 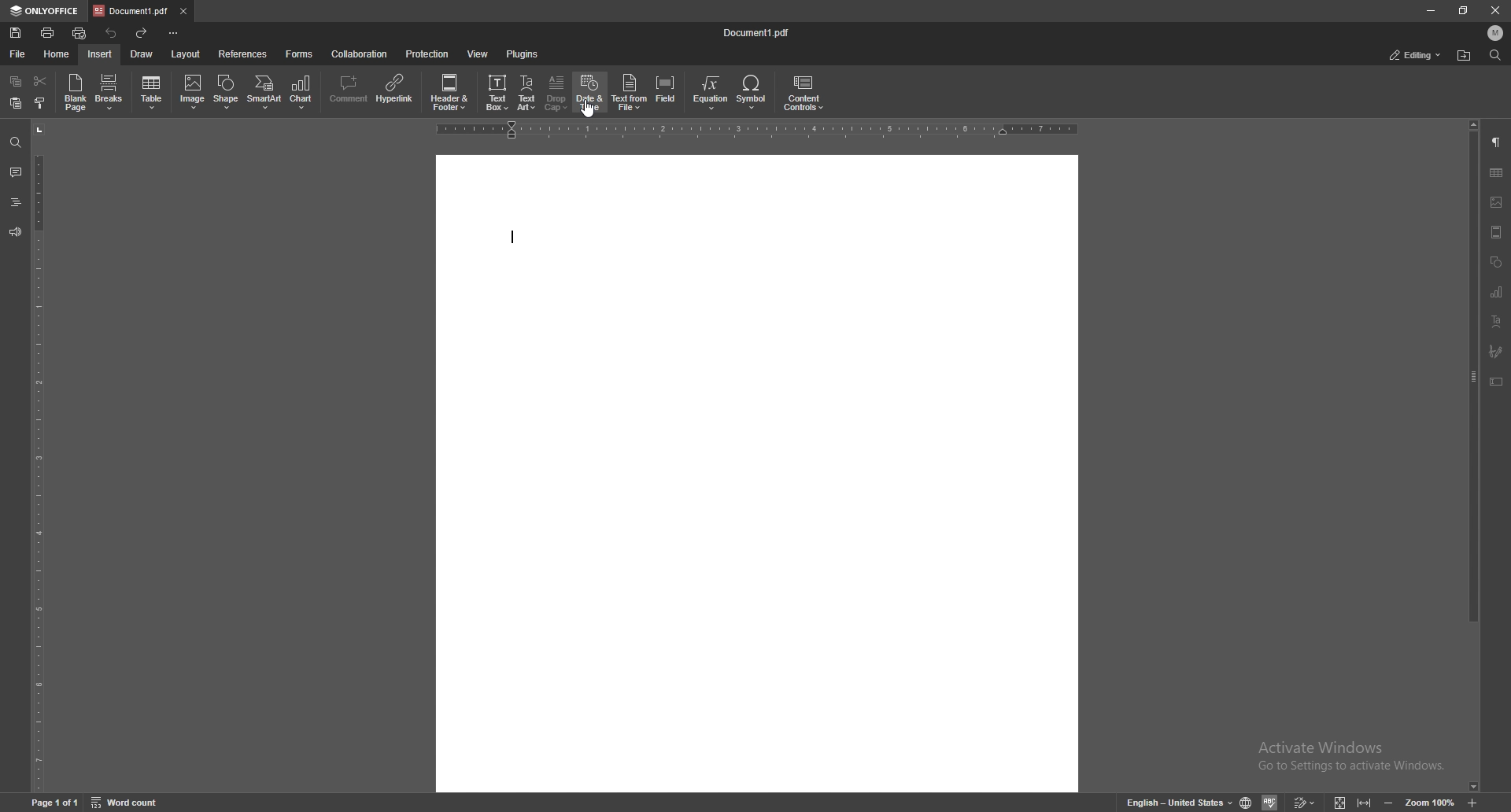 What do you see at coordinates (452, 94) in the screenshot?
I see `header and footer` at bounding box center [452, 94].